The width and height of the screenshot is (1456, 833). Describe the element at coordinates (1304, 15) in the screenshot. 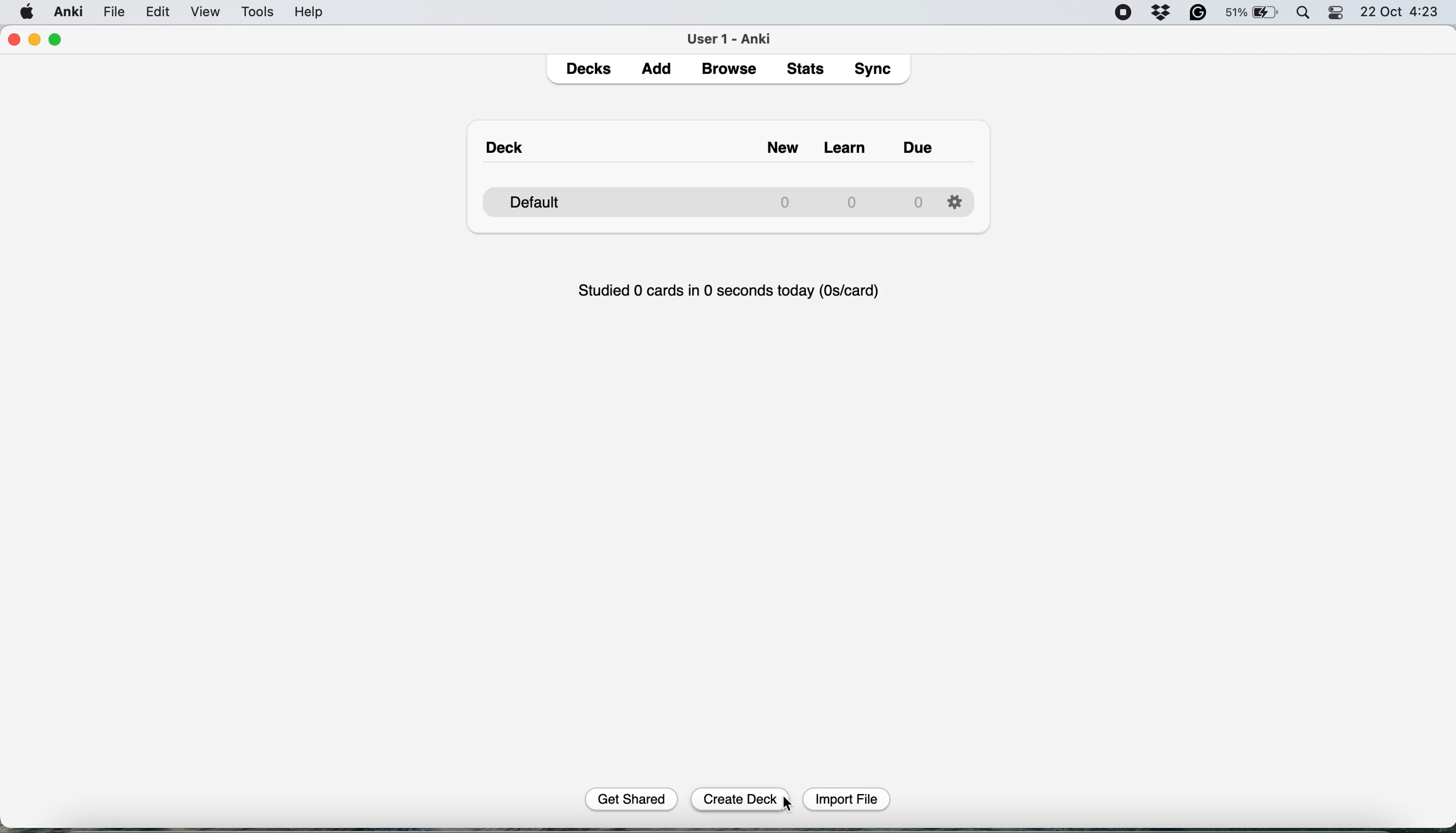

I see `spotlight search` at that location.